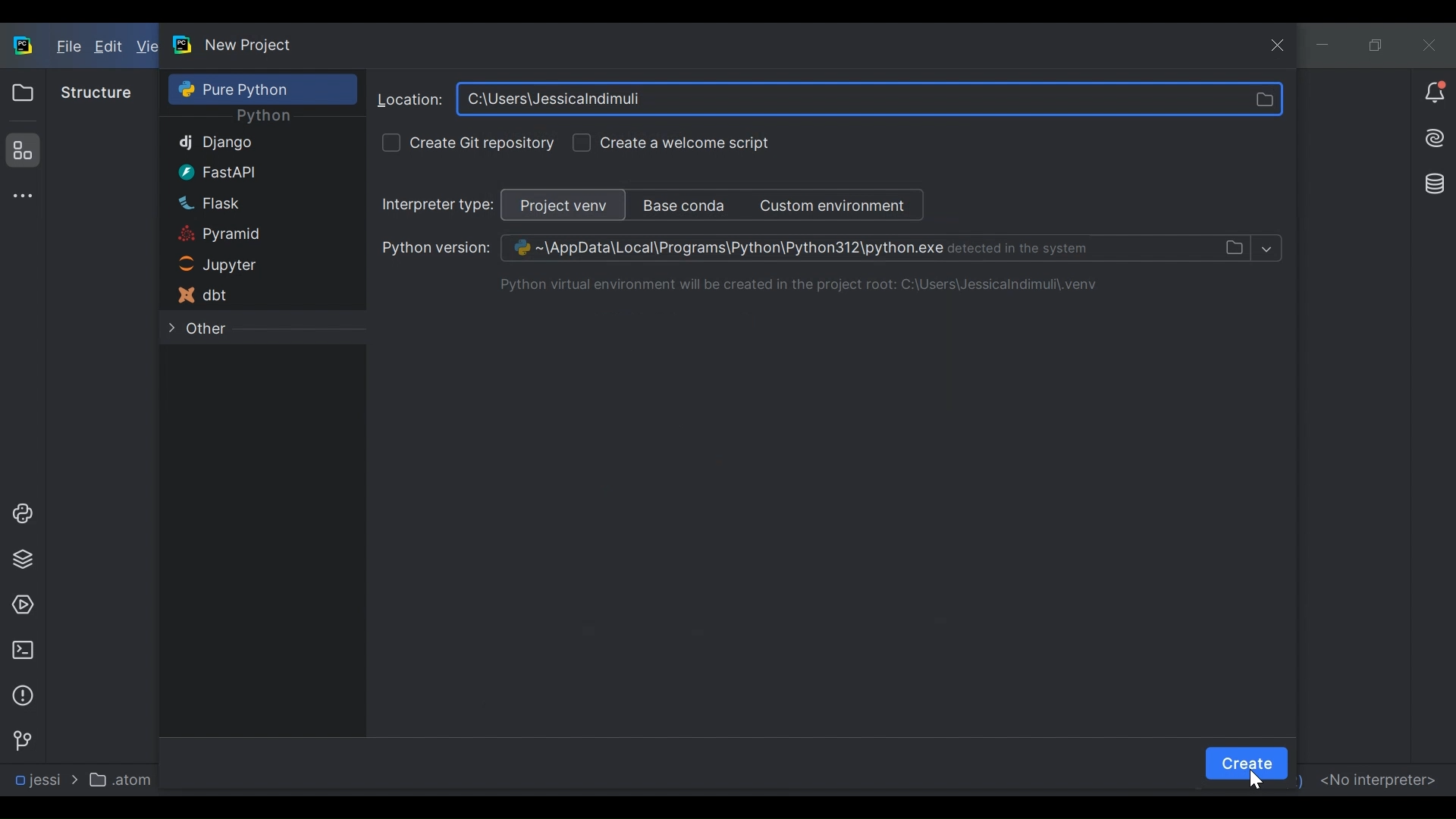 This screenshot has height=819, width=1456. I want to click on <No interpreter>, so click(1377, 778).